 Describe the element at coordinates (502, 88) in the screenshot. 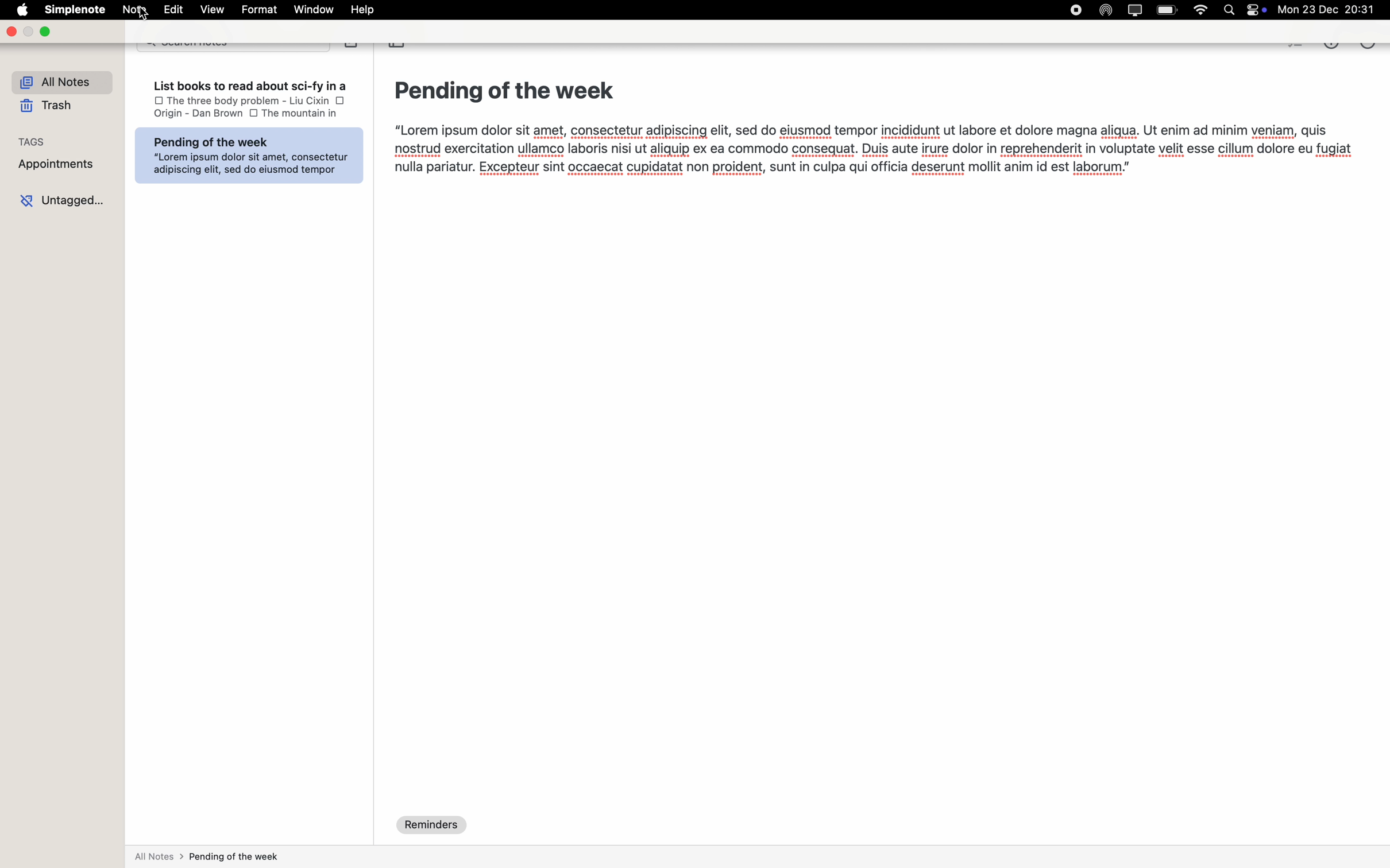

I see ` Pending of the week` at that location.